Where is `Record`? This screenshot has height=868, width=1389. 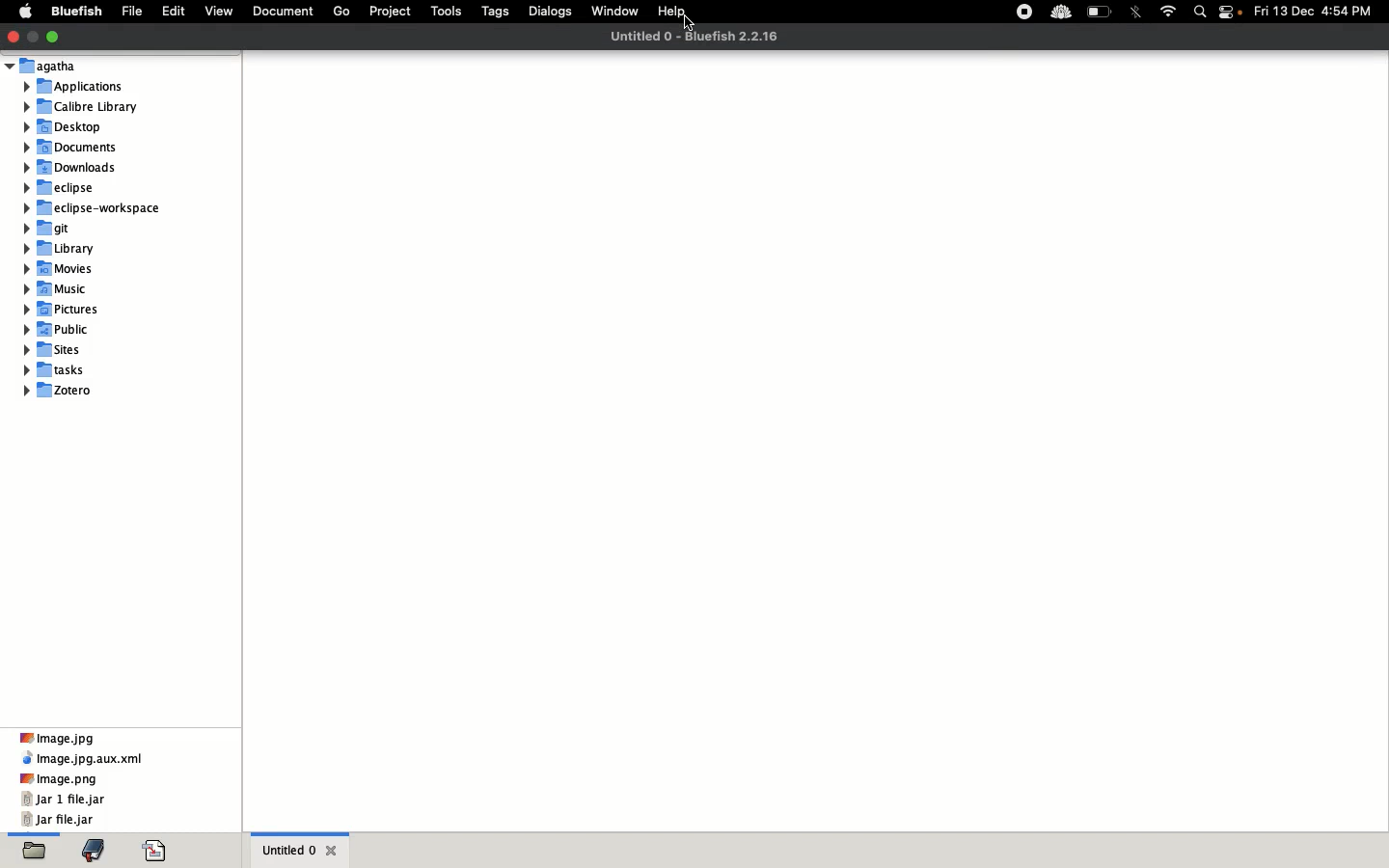
Record is located at coordinates (1024, 13).